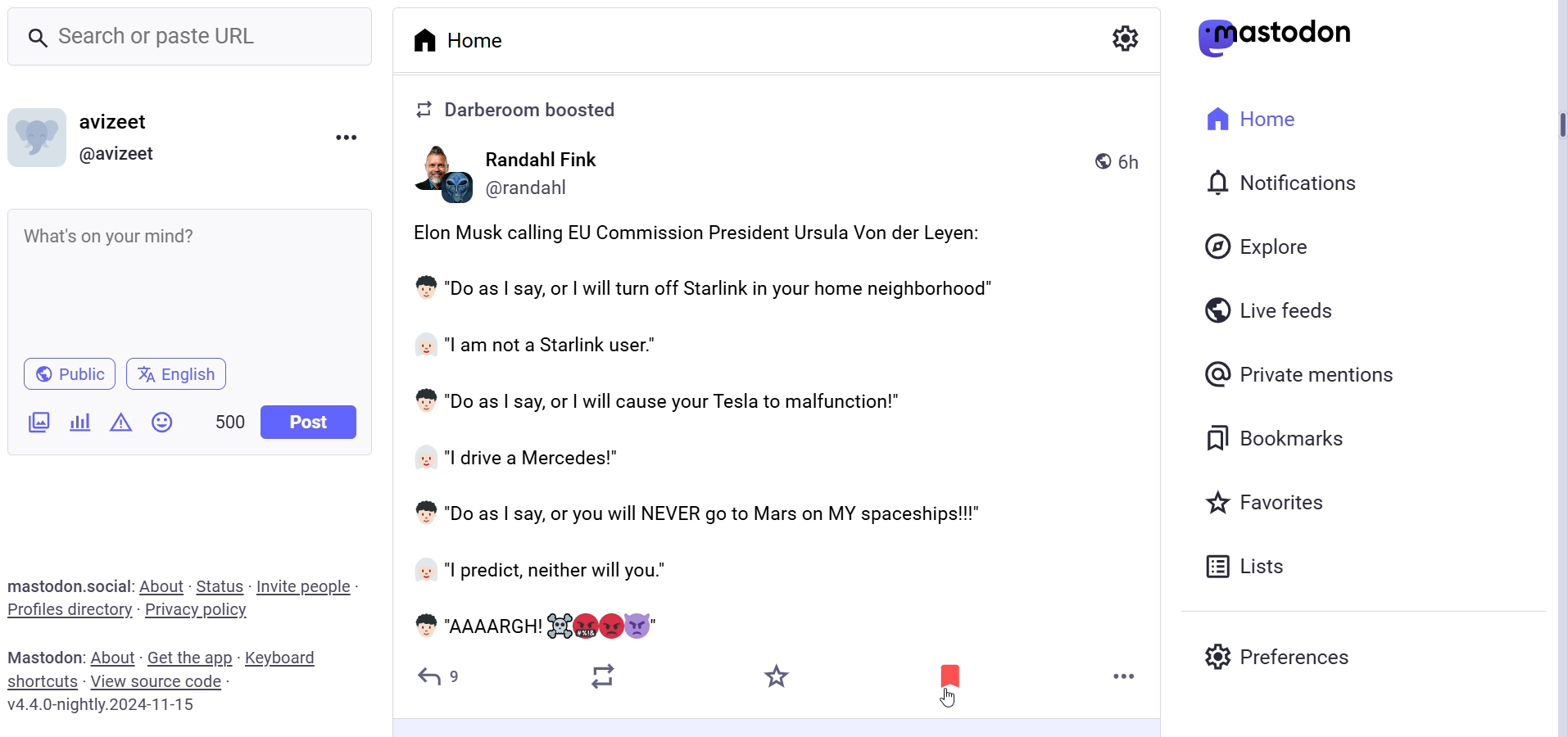  Describe the element at coordinates (1280, 183) in the screenshot. I see `Notification` at that location.